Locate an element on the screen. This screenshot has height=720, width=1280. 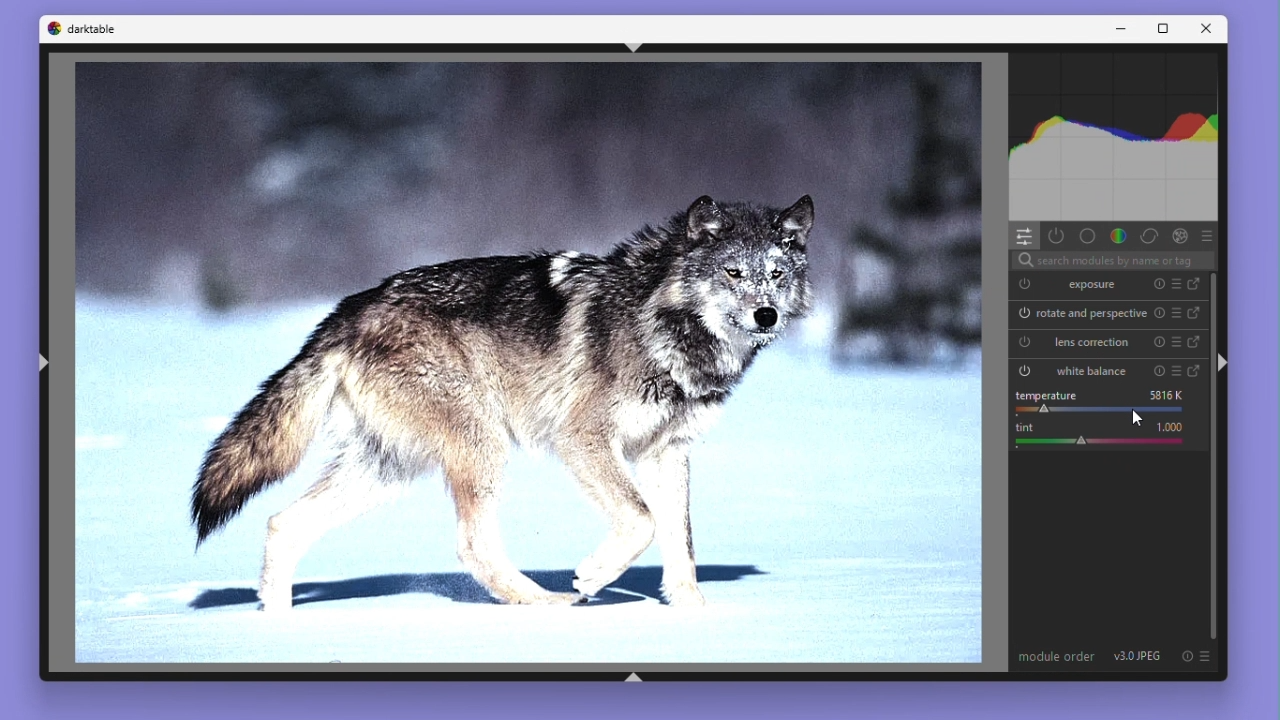
cursor is located at coordinates (1139, 419).